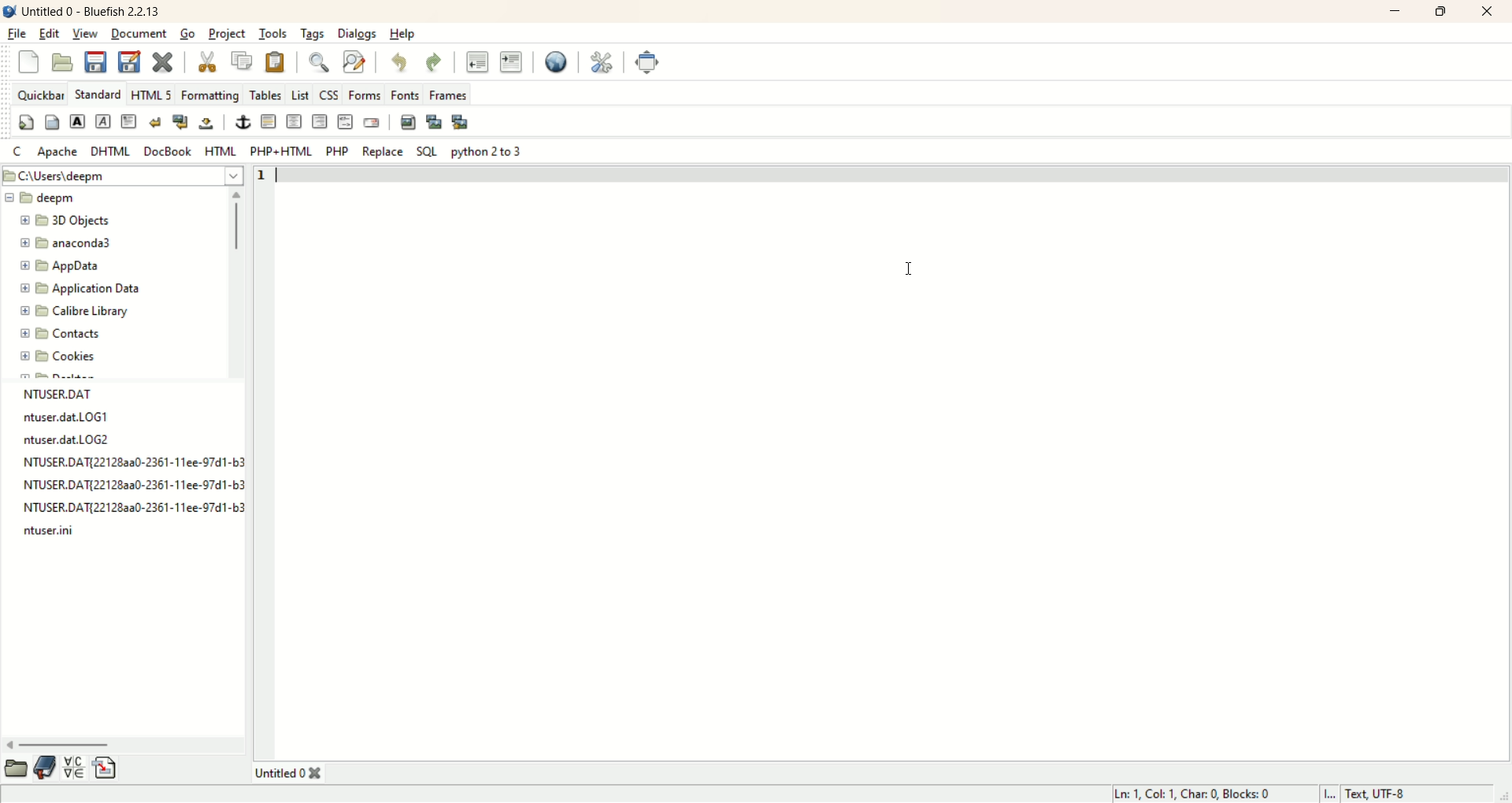 The image size is (1512, 803). Describe the element at coordinates (320, 121) in the screenshot. I see `right justify` at that location.